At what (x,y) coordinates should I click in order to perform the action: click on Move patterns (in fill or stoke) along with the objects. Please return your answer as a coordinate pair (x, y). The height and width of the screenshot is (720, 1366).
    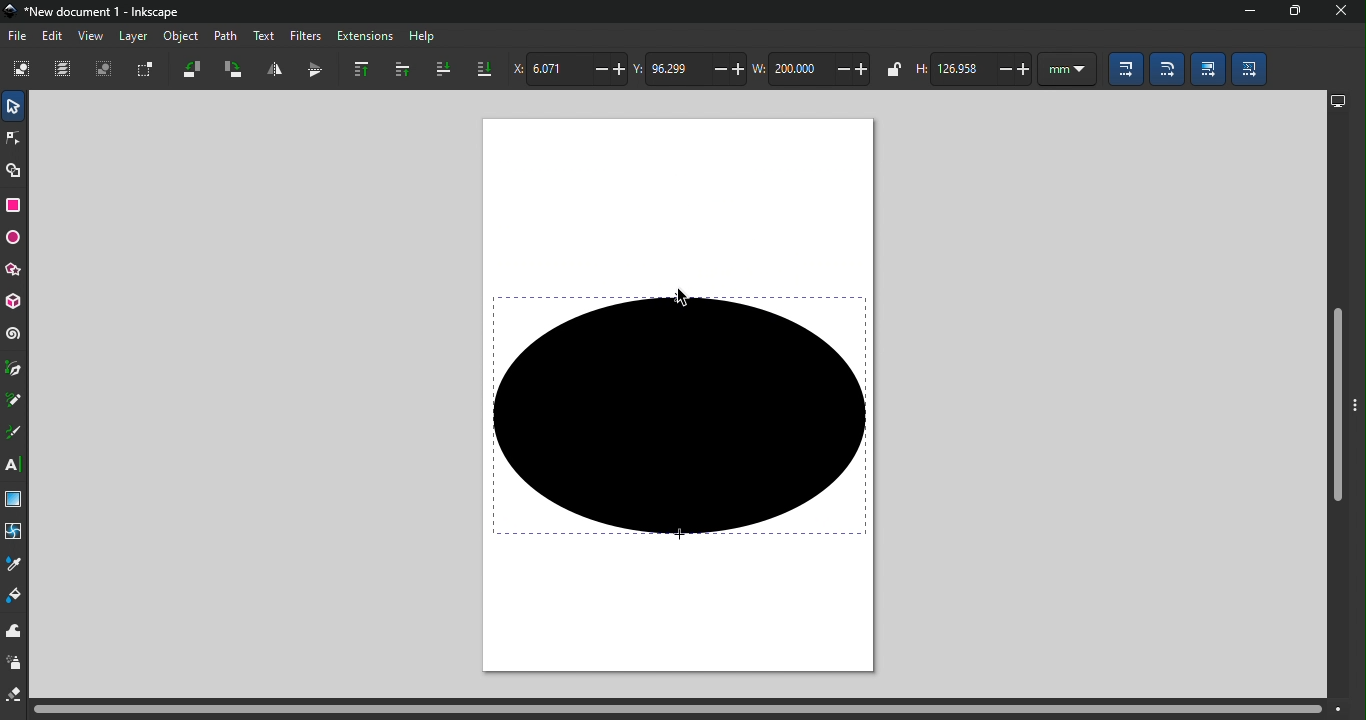
    Looking at the image, I should click on (1248, 69).